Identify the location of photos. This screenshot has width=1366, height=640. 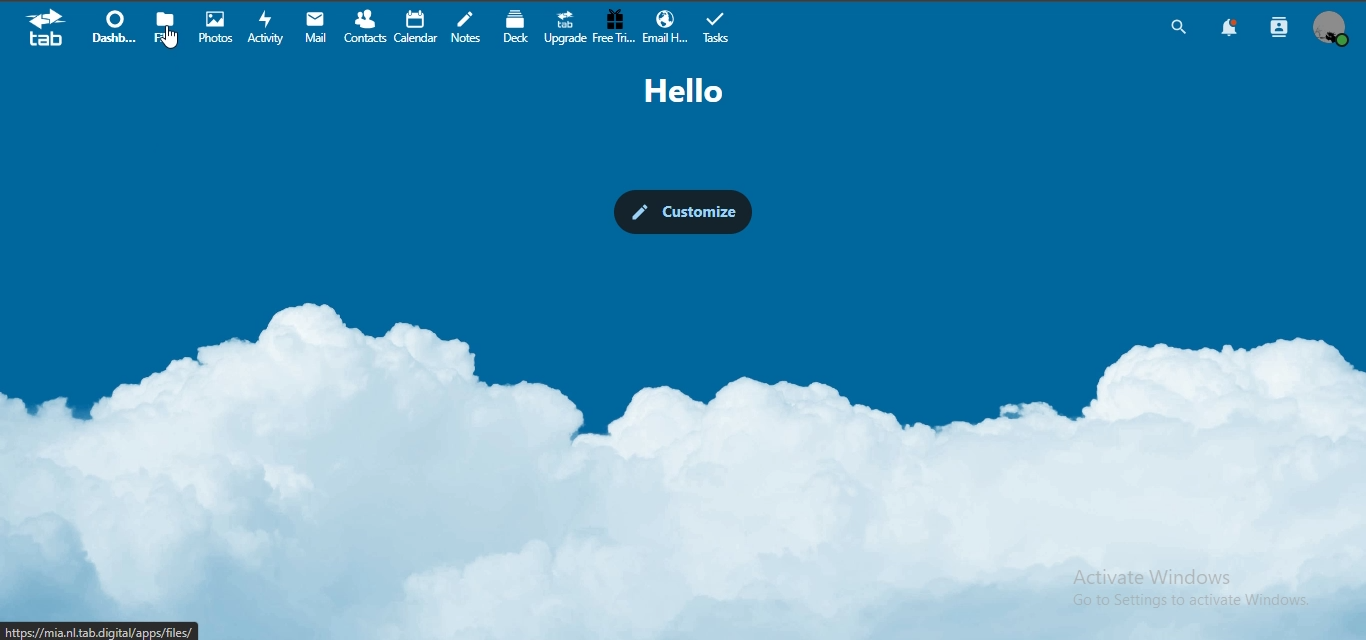
(215, 25).